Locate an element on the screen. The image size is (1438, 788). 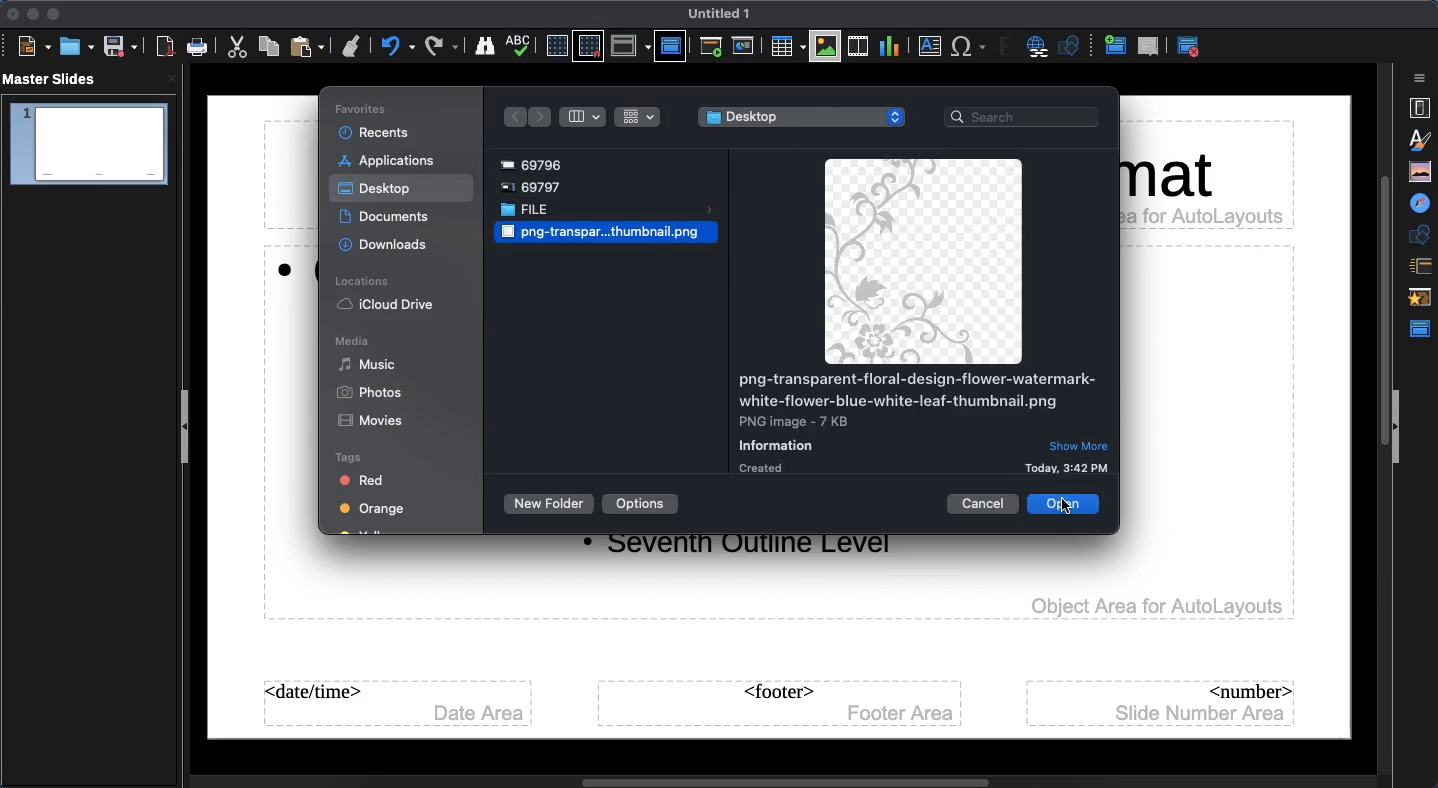
show more is located at coordinates (1079, 444).